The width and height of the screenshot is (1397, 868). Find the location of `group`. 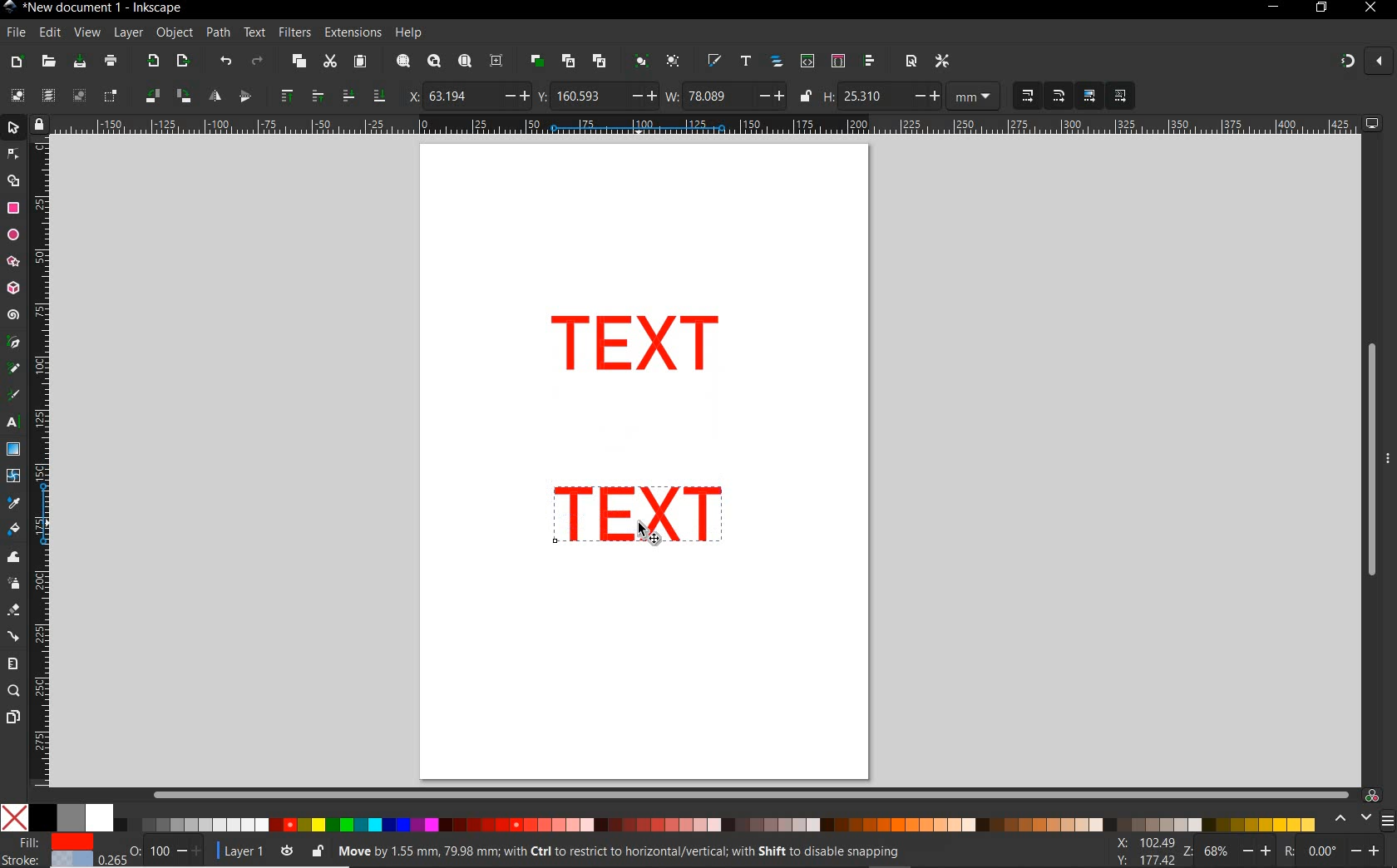

group is located at coordinates (639, 62).